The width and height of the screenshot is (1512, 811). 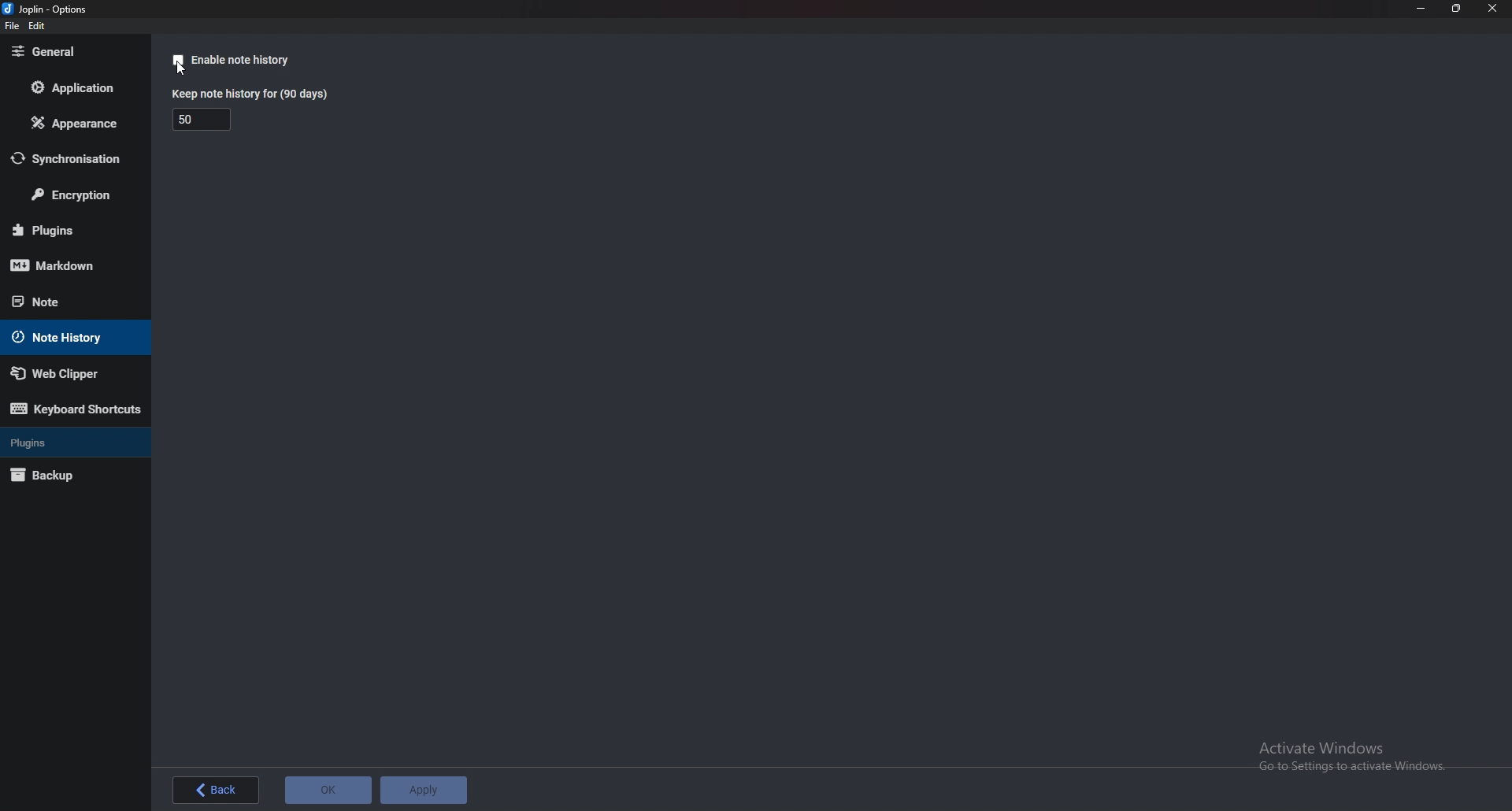 What do you see at coordinates (12, 26) in the screenshot?
I see `file` at bounding box center [12, 26].